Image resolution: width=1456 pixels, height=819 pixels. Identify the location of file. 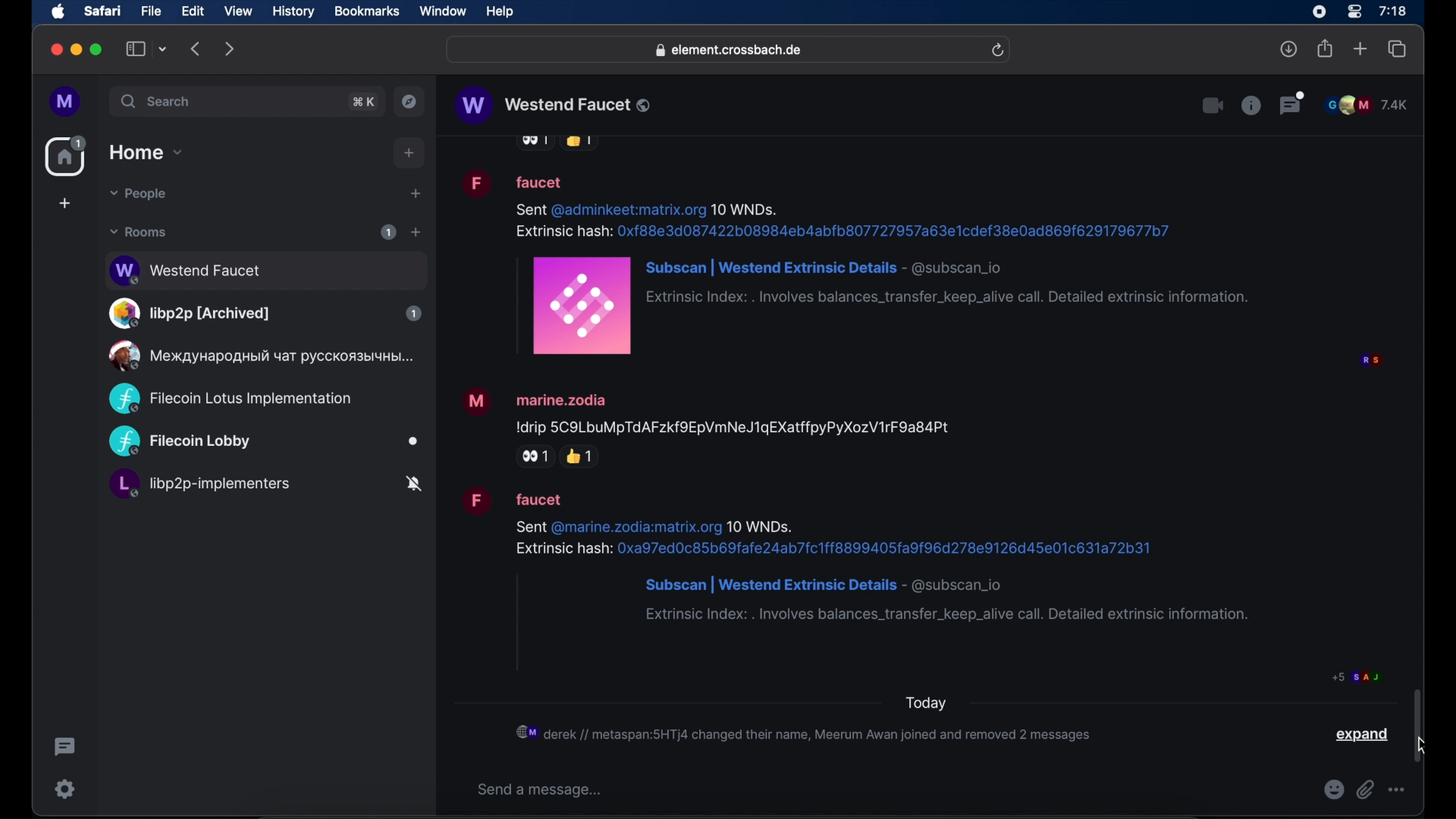
(151, 11).